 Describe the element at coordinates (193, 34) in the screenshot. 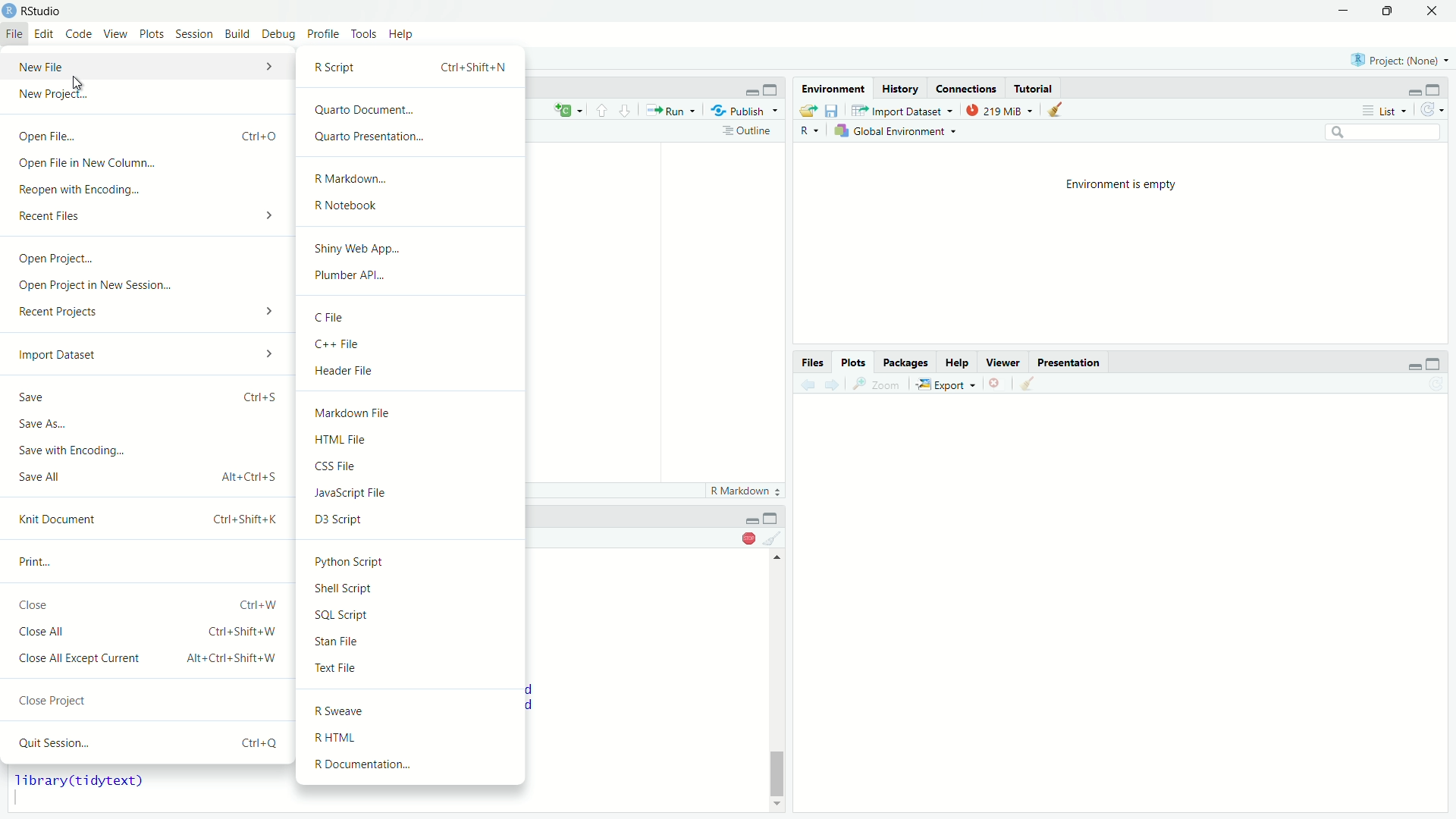

I see `Session` at that location.